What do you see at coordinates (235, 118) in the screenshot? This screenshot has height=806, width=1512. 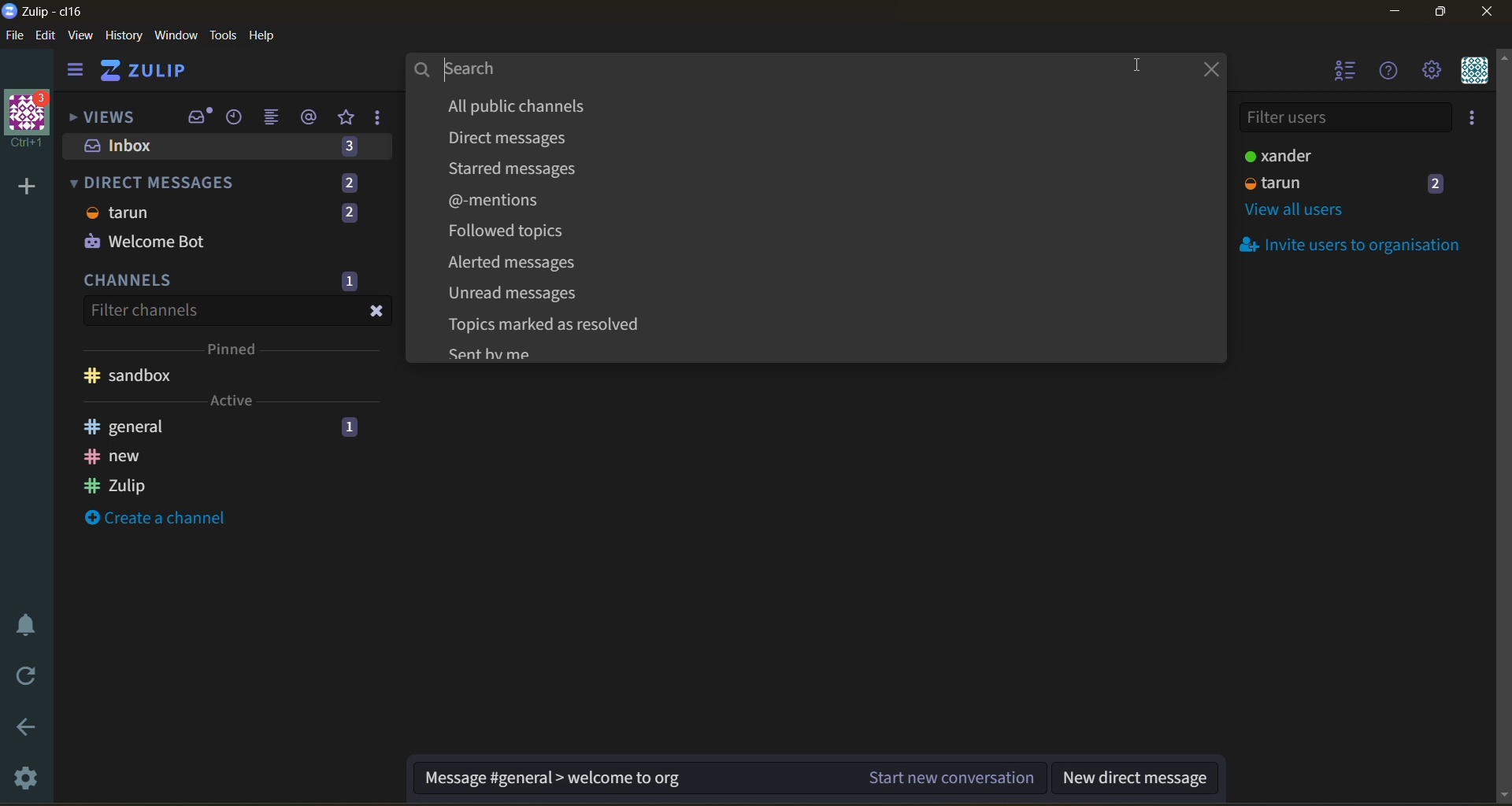 I see `recent conversations` at bounding box center [235, 118].